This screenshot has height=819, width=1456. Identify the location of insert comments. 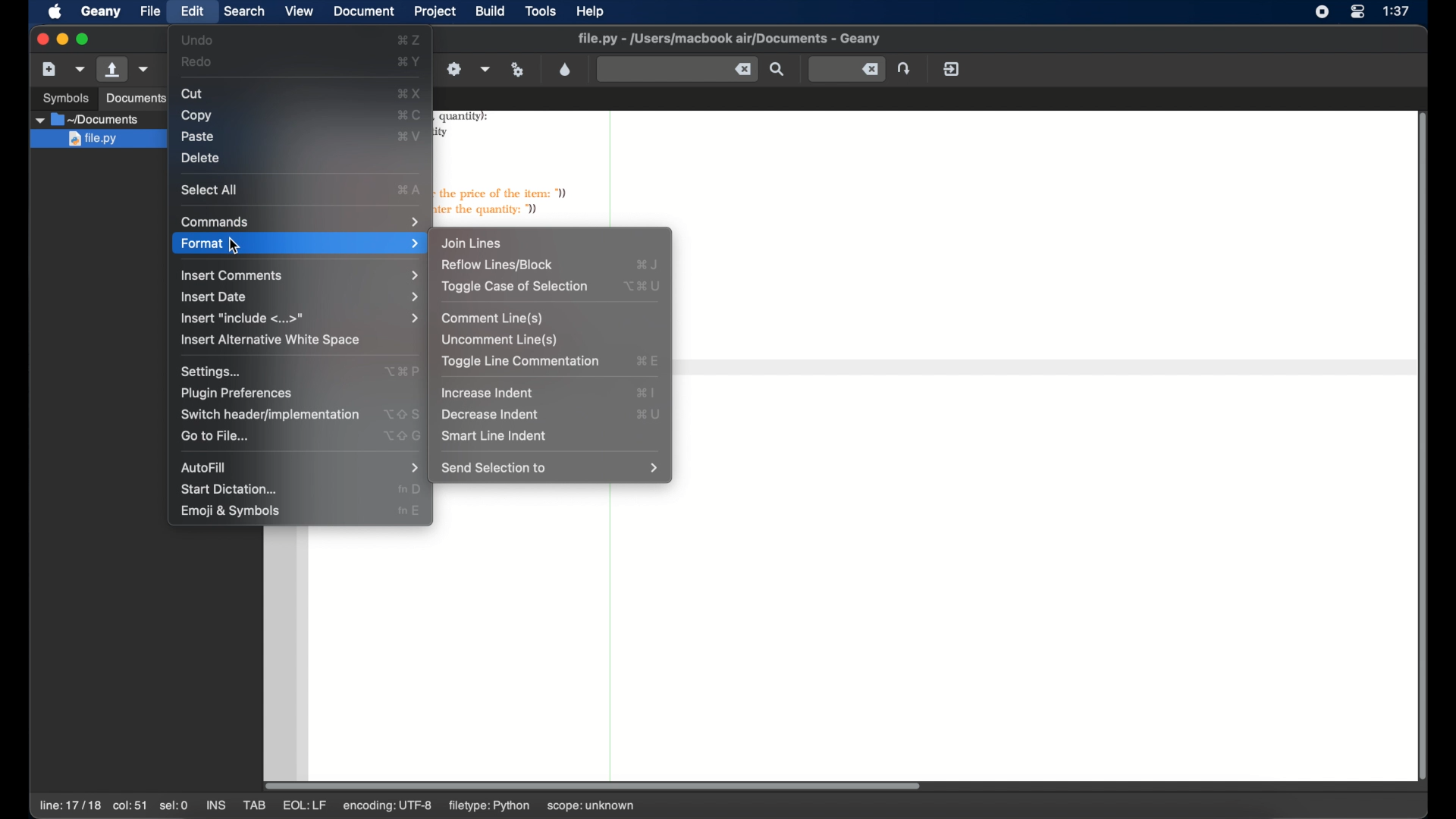
(300, 275).